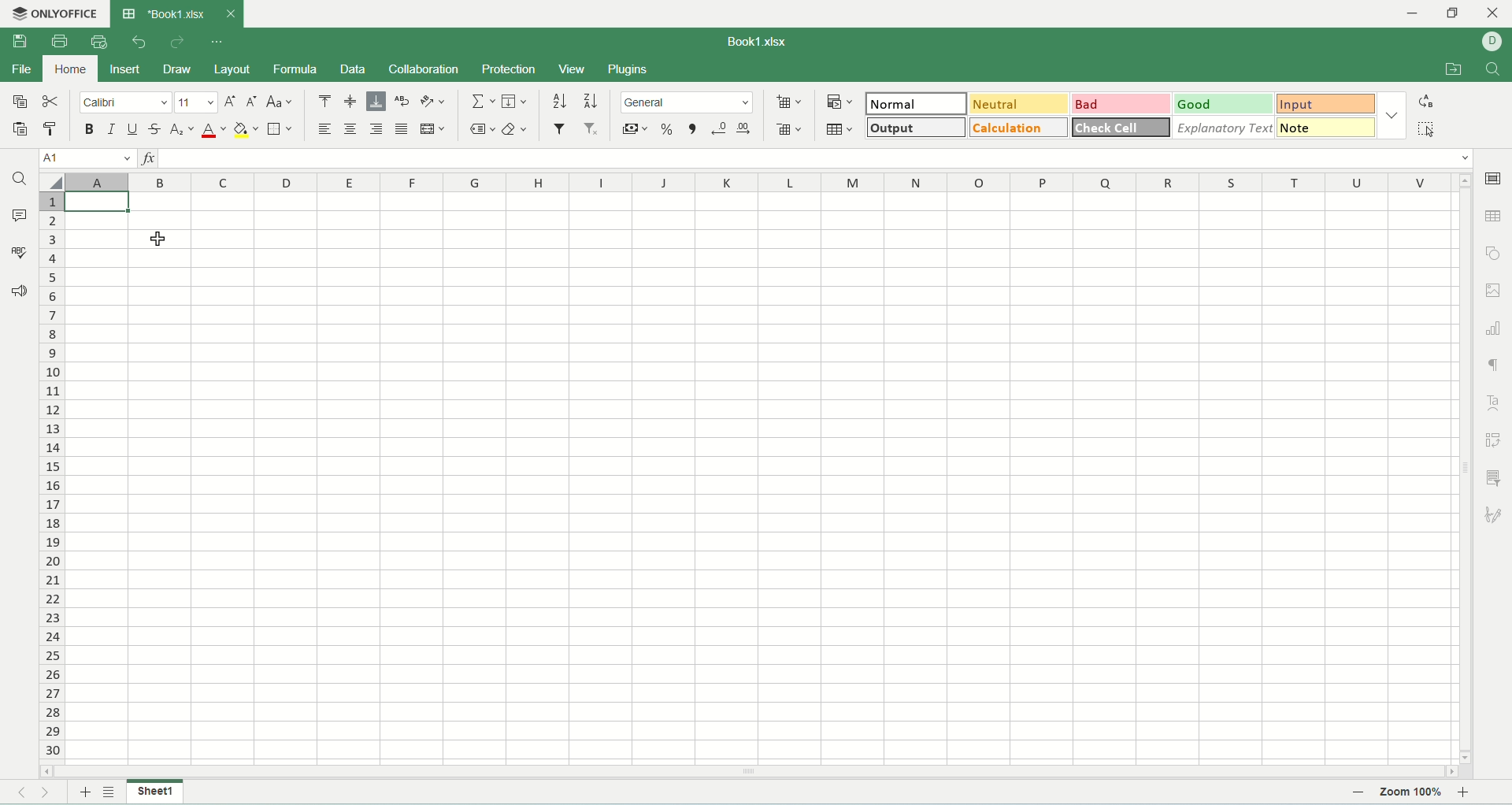 This screenshot has width=1512, height=805. Describe the element at coordinates (1121, 127) in the screenshot. I see `check cell` at that location.